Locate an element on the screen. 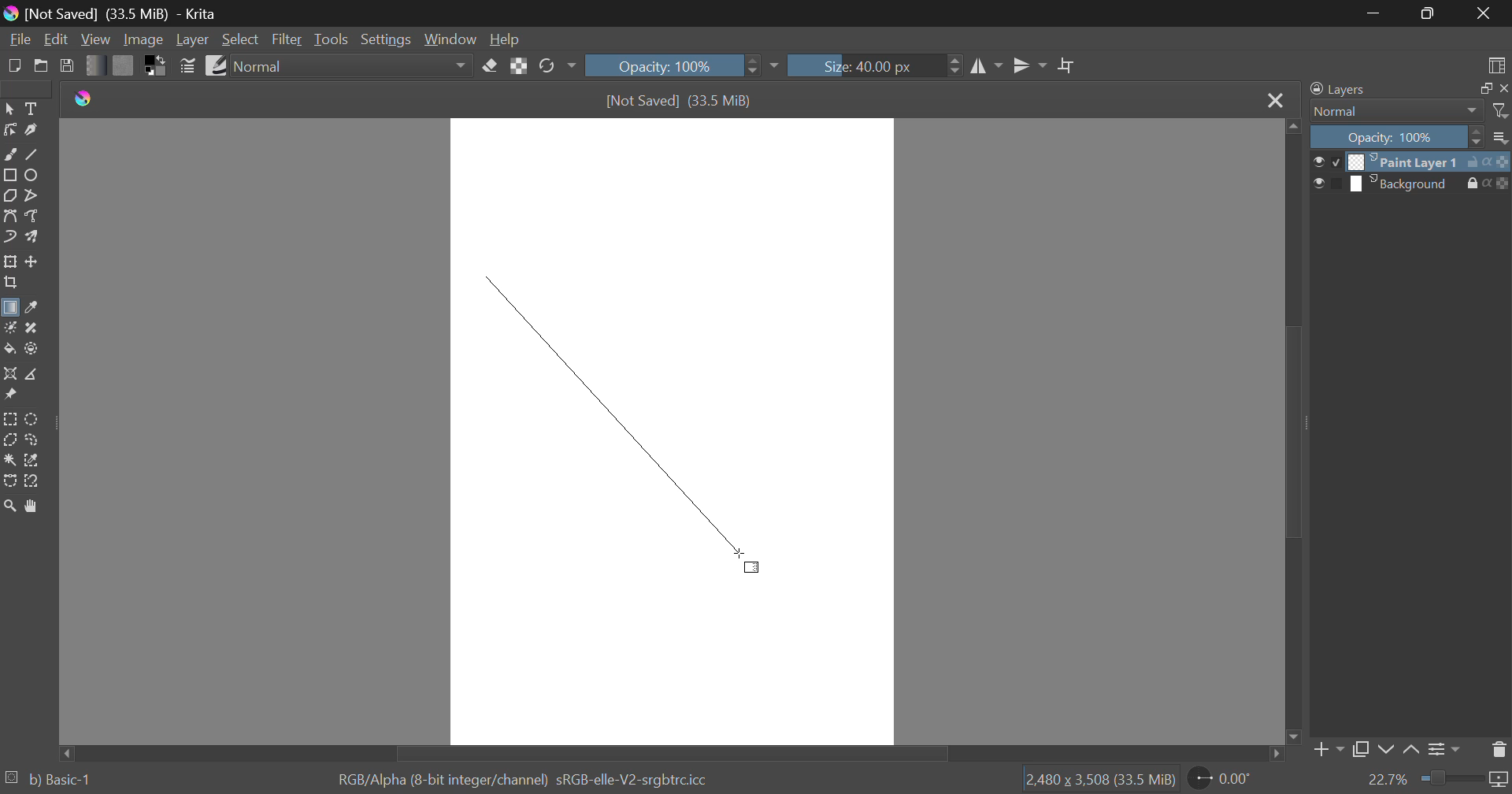 Image resolution: width=1512 pixels, height=794 pixels. full screen is located at coordinates (1481, 89).